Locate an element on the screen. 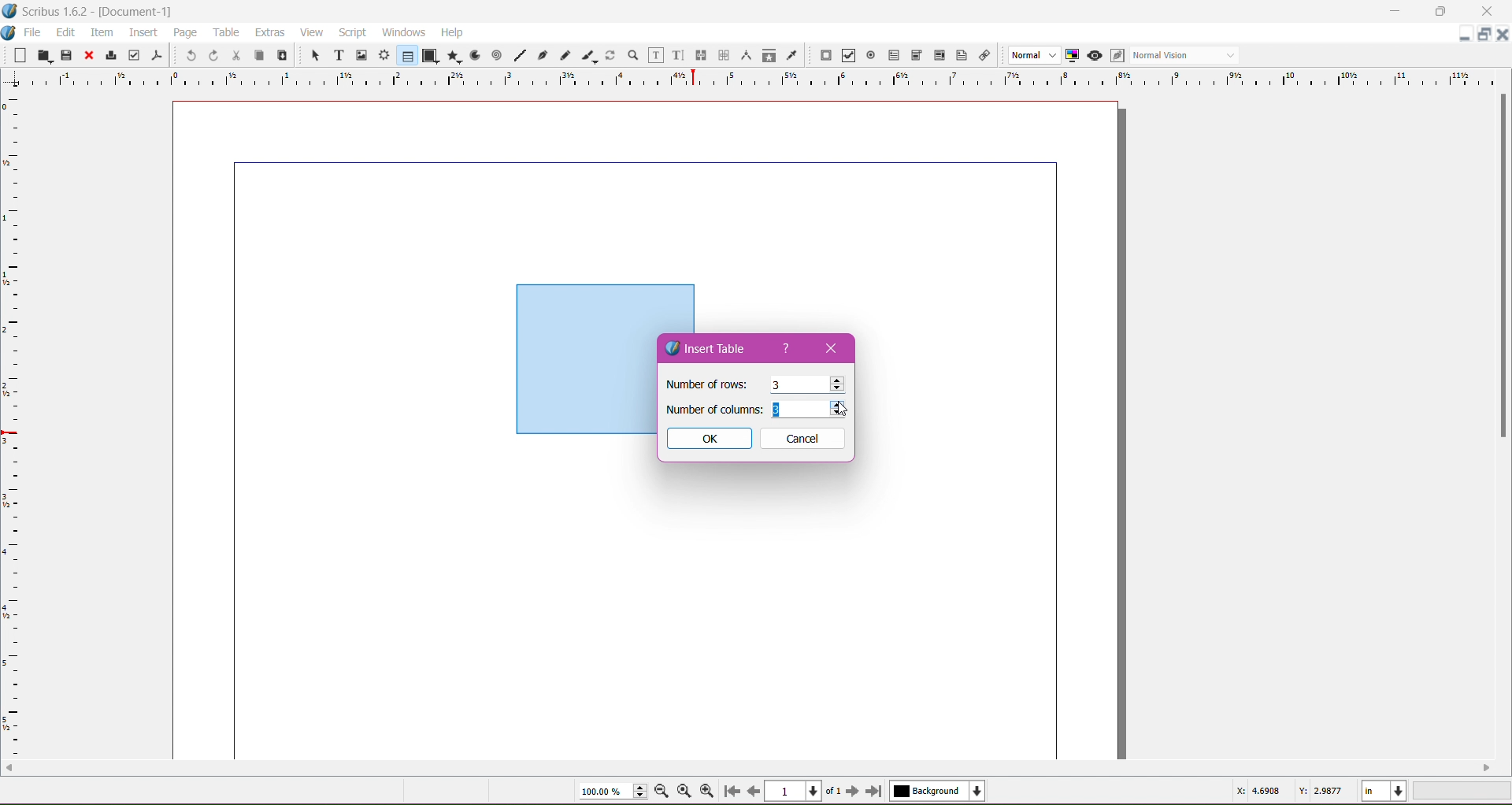 This screenshot has width=1512, height=805. Print is located at coordinates (109, 57).